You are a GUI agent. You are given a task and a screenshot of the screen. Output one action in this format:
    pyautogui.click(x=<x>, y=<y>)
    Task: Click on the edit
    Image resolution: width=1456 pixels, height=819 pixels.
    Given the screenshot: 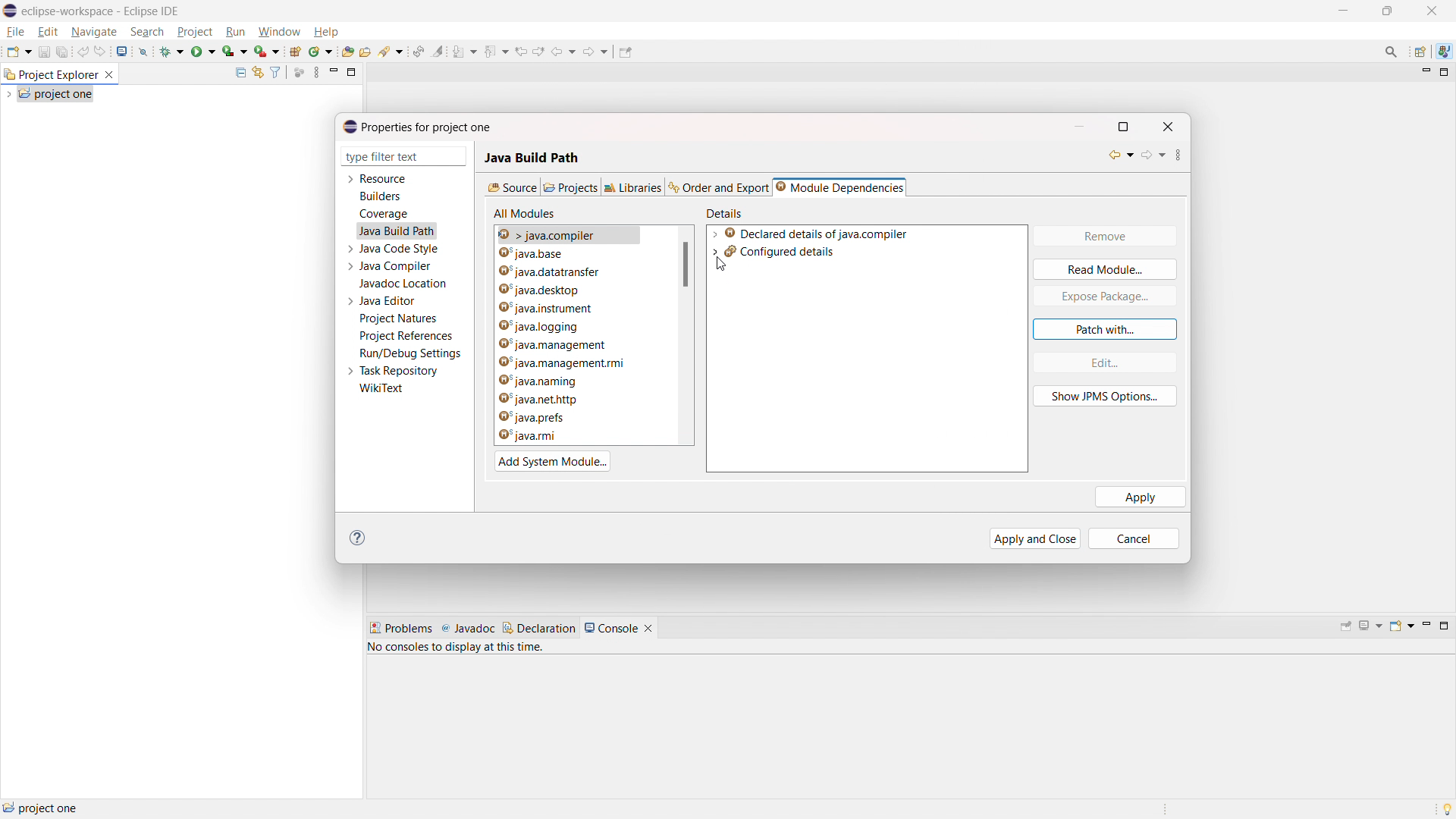 What is the action you would take?
    pyautogui.click(x=48, y=33)
    